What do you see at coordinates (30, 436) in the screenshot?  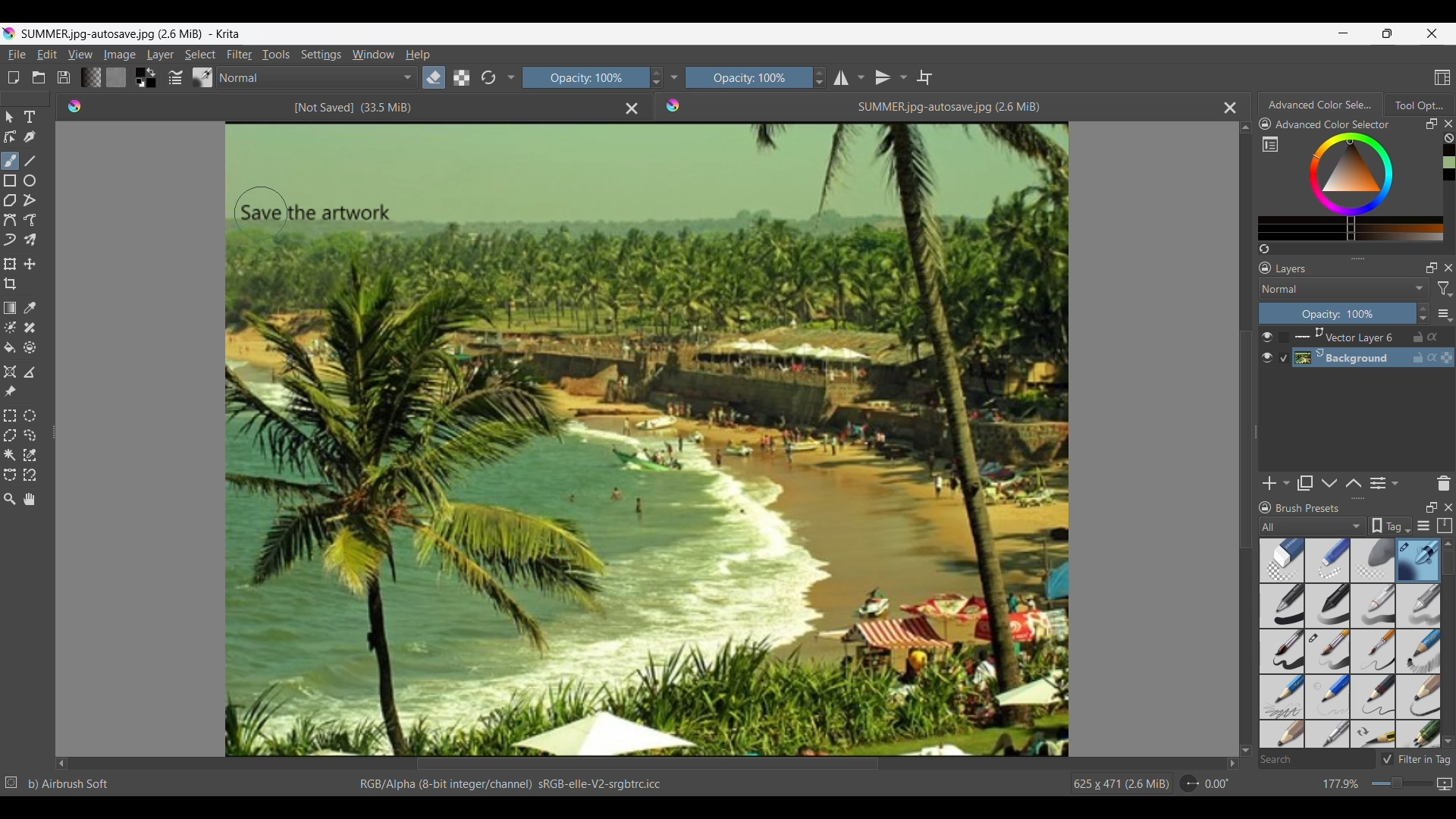 I see `Freehand selection tool` at bounding box center [30, 436].